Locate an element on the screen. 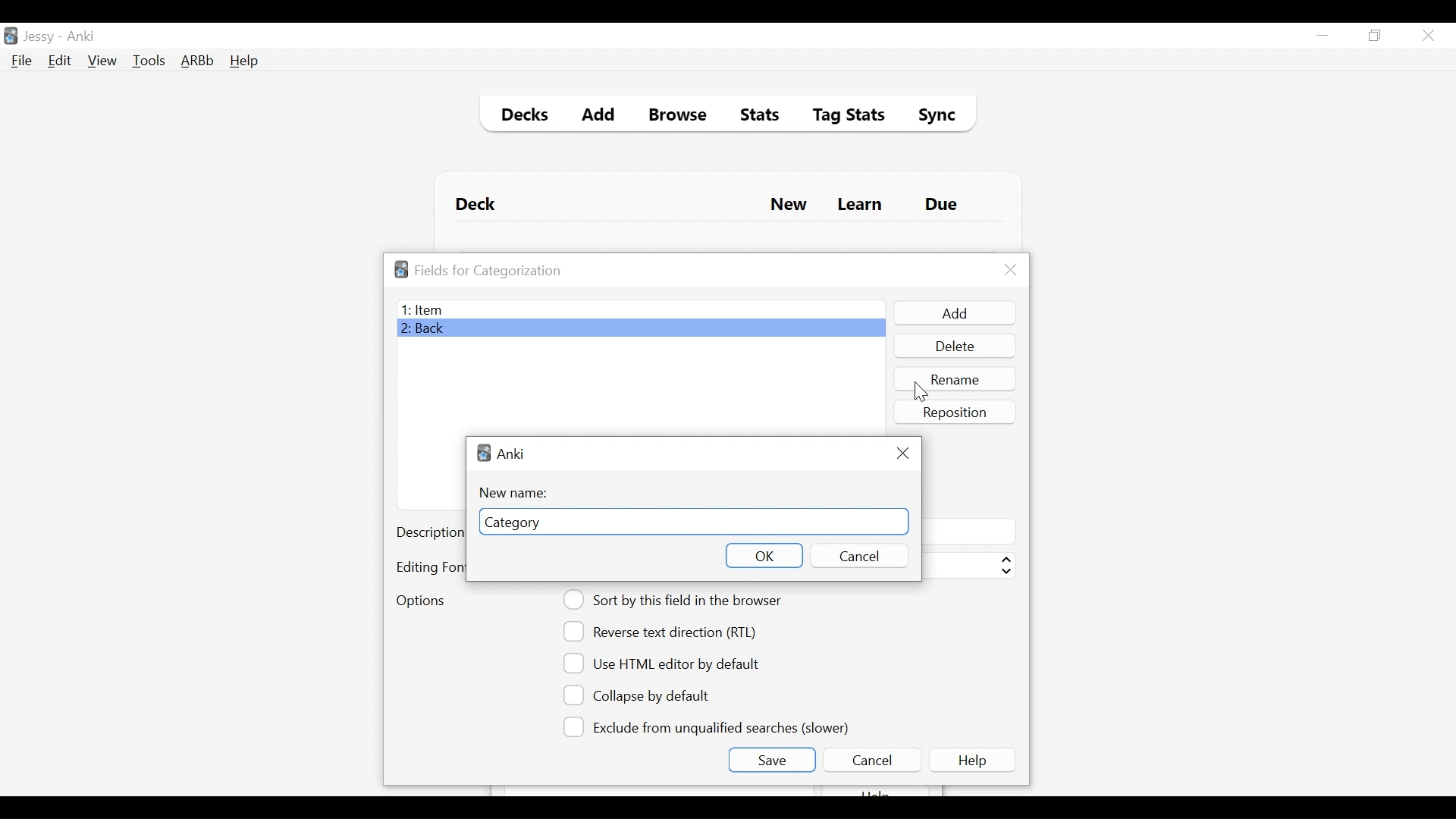 This screenshot has height=819, width=1456. Back is located at coordinates (427, 330).